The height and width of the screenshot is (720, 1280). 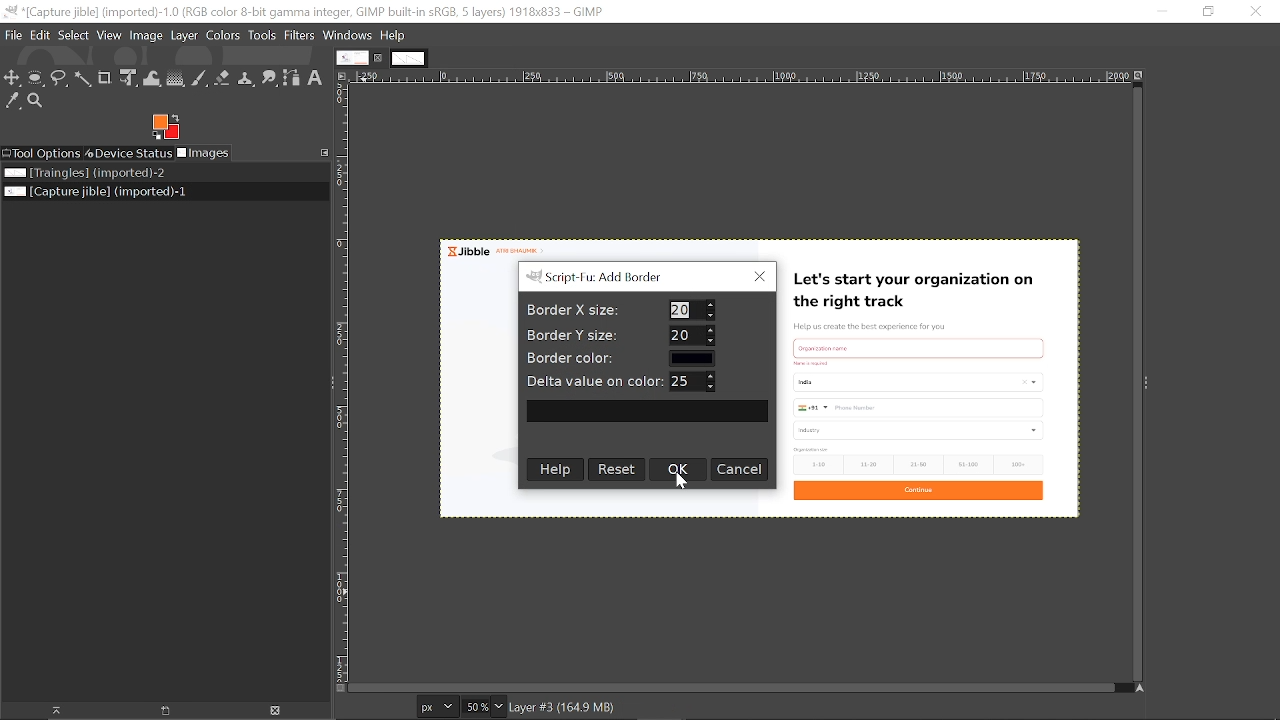 What do you see at coordinates (74, 36) in the screenshot?
I see `Select` at bounding box center [74, 36].